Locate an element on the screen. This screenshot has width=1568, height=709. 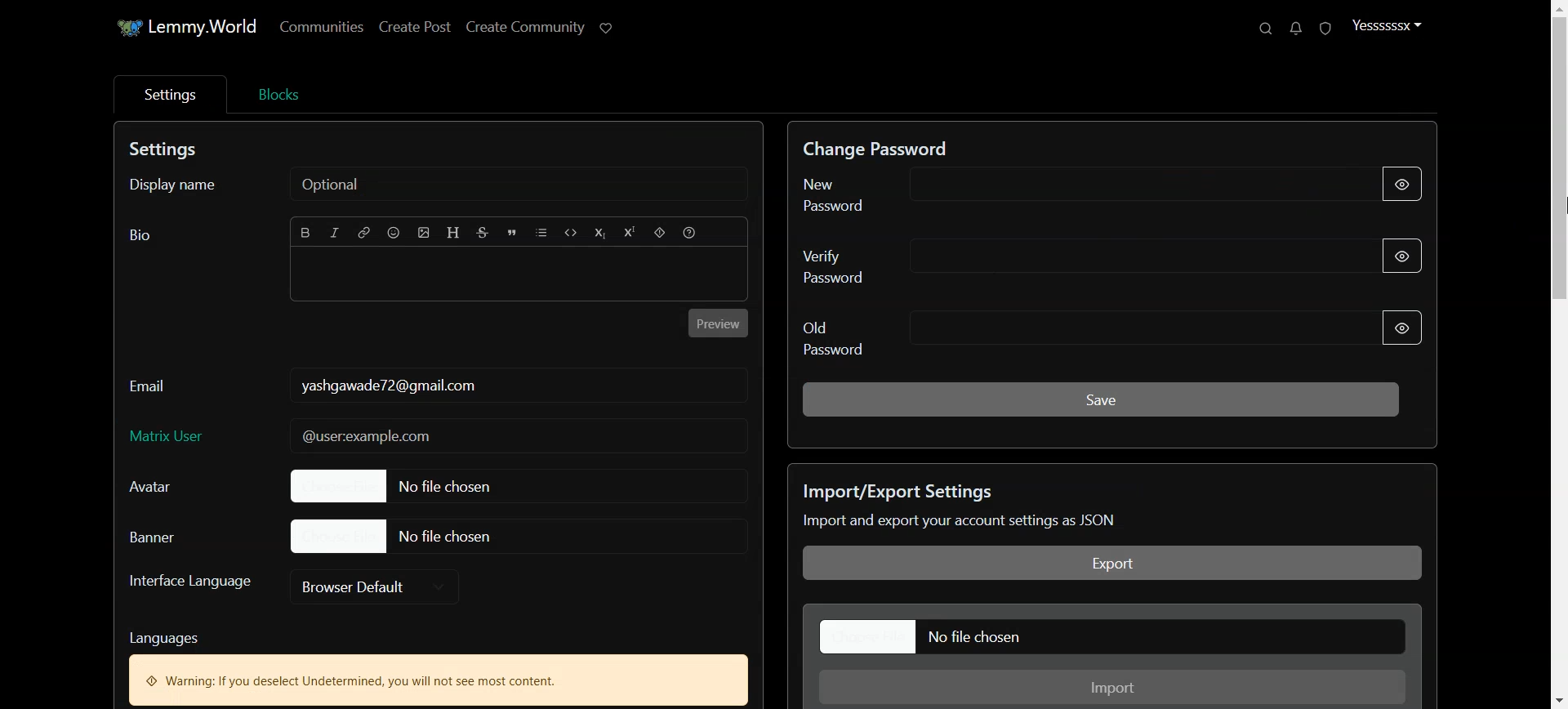
Text is located at coordinates (873, 149).